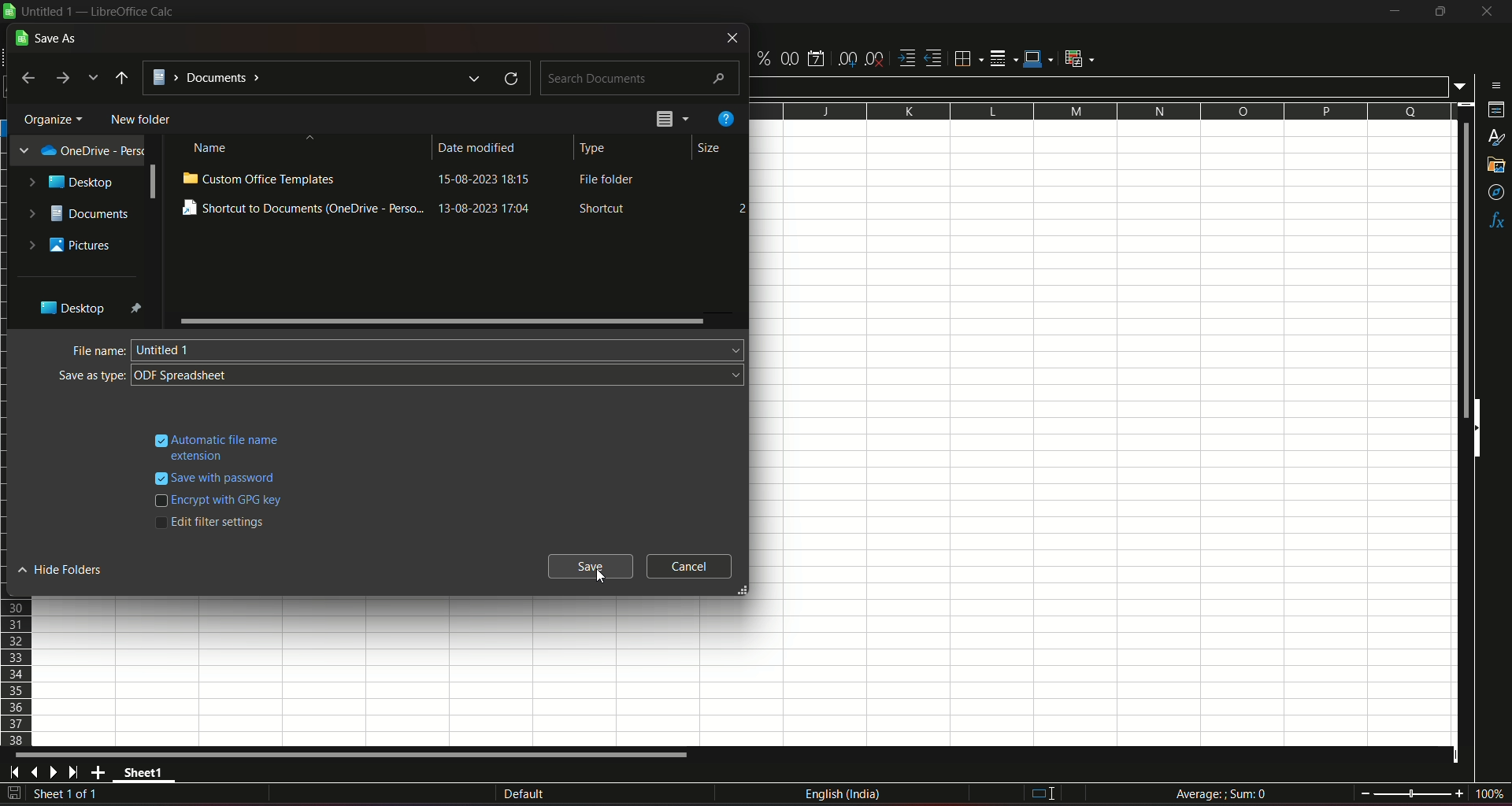 The image size is (1512, 806). I want to click on dropdown, so click(94, 79).